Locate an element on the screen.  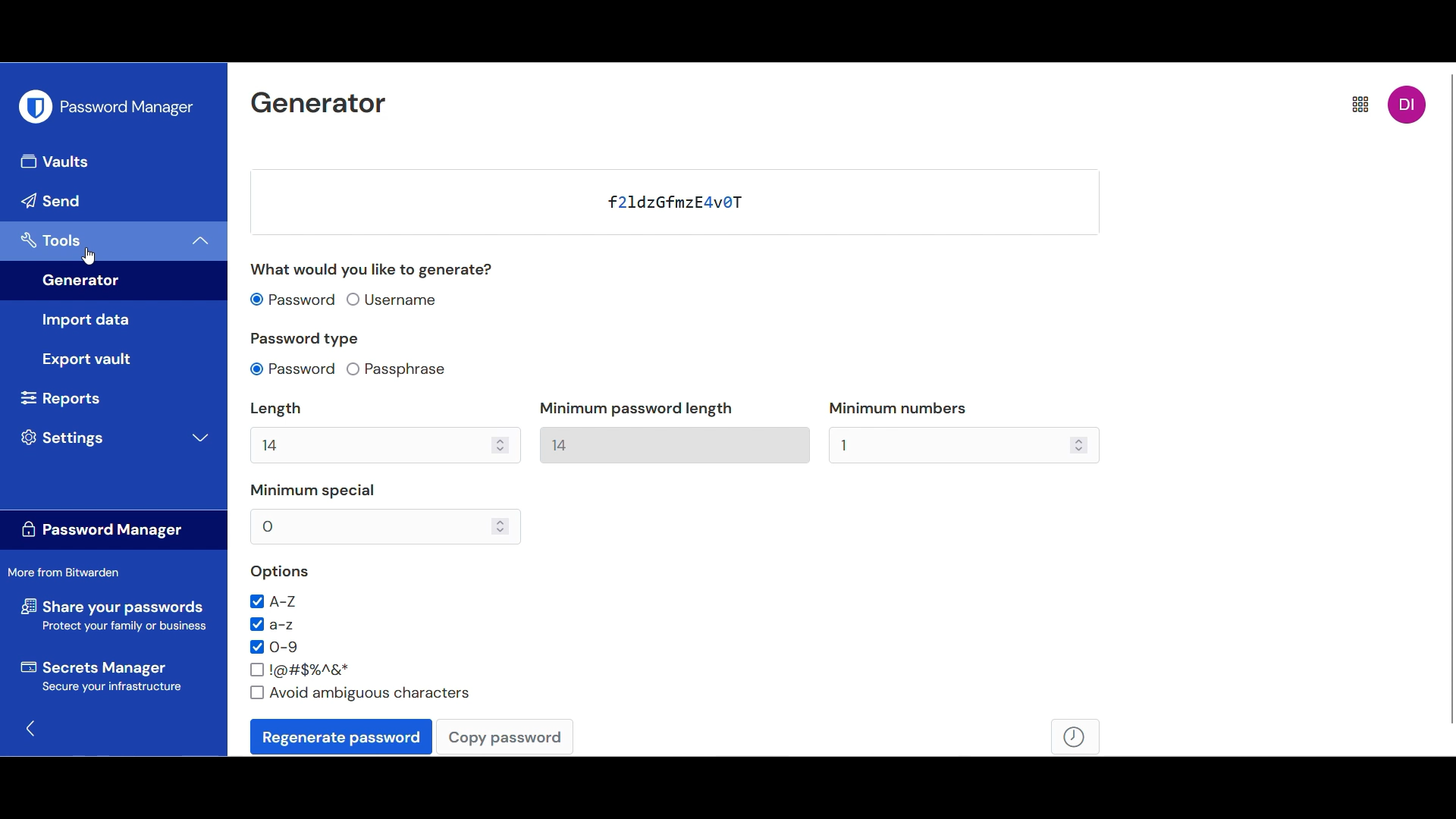
Cursor is located at coordinates (89, 256).